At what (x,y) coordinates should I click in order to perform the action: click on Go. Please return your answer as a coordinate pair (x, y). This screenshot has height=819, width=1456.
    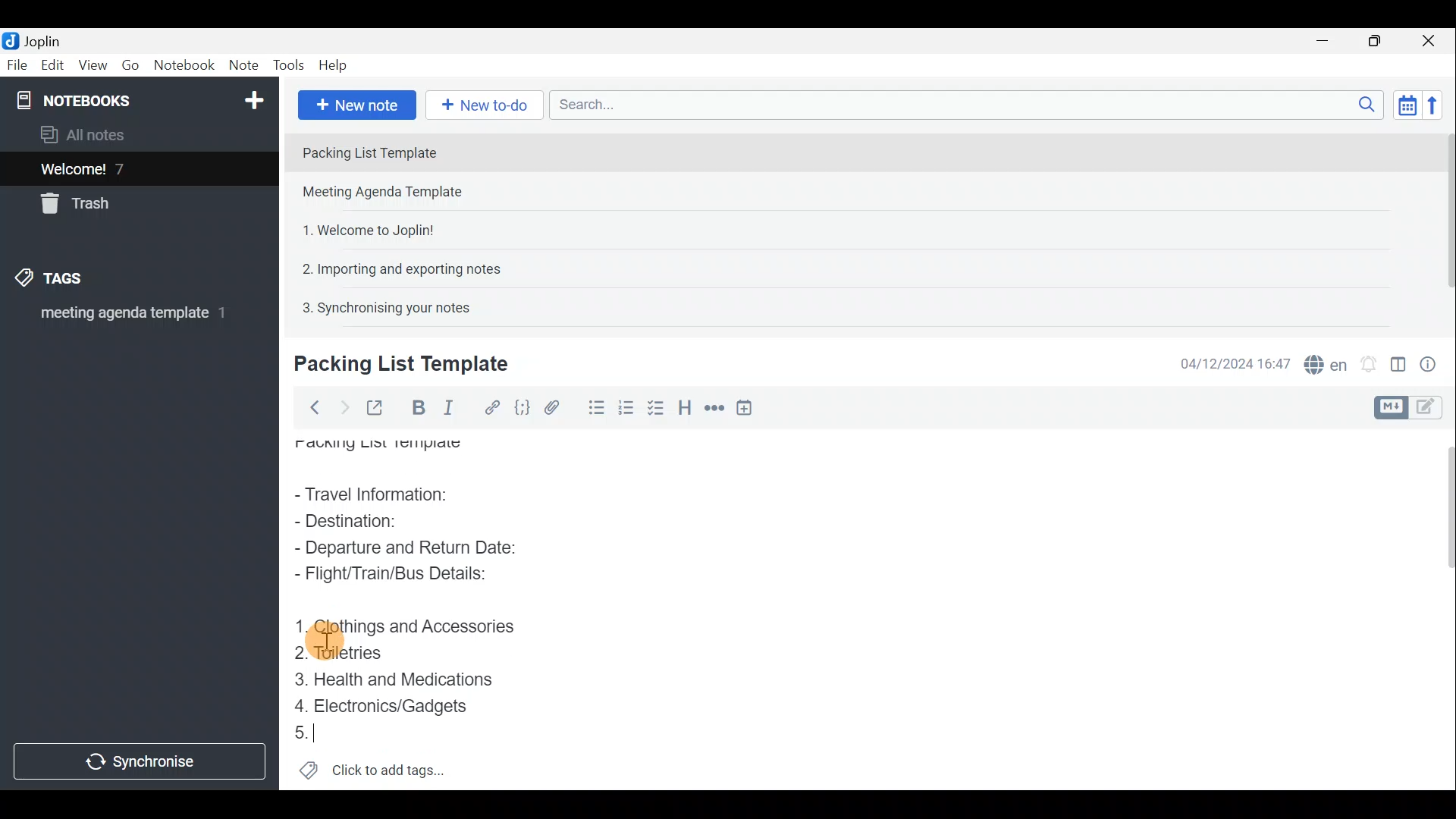
    Looking at the image, I should click on (131, 65).